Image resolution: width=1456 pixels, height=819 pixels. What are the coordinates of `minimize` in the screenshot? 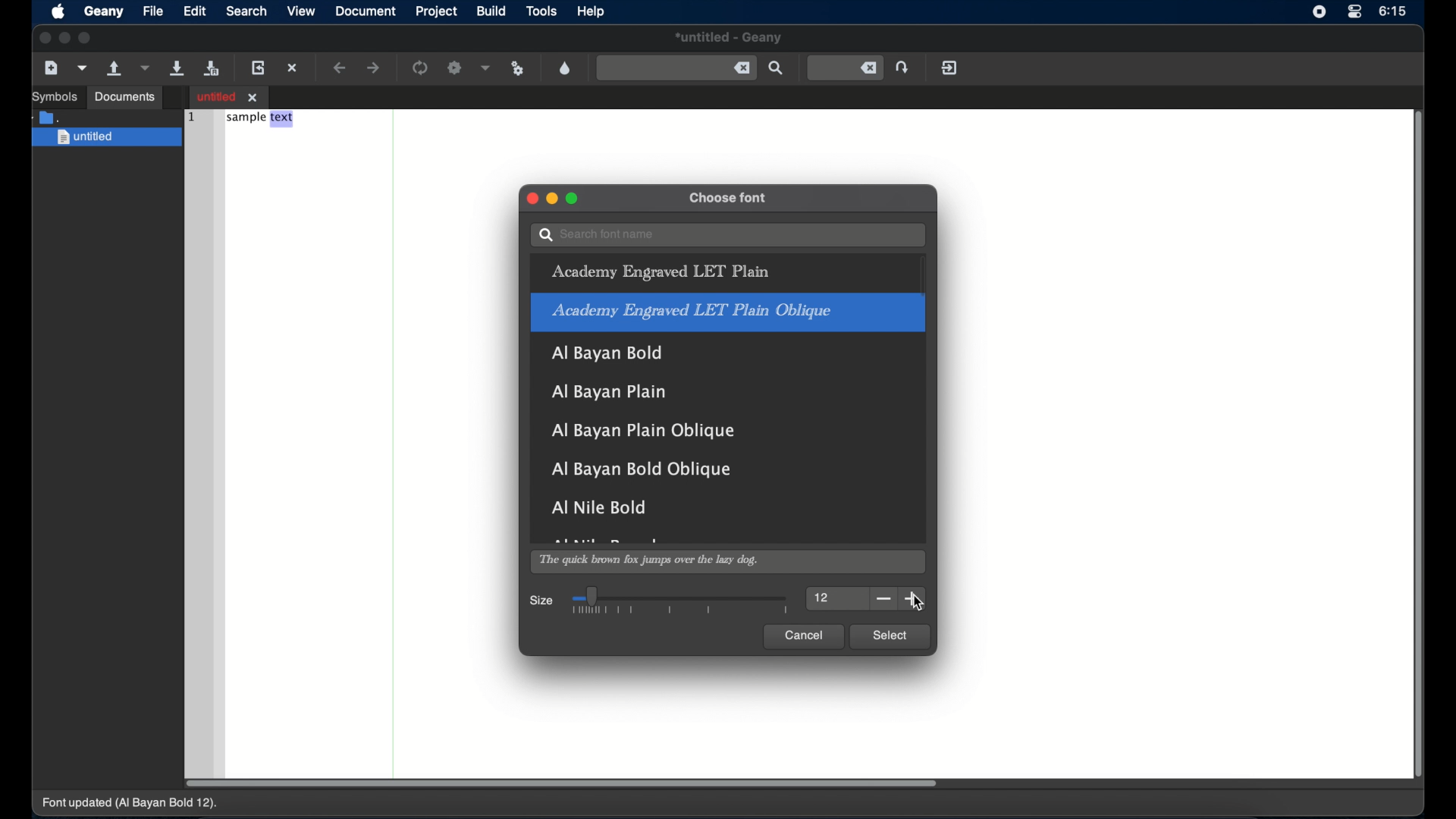 It's located at (65, 38).